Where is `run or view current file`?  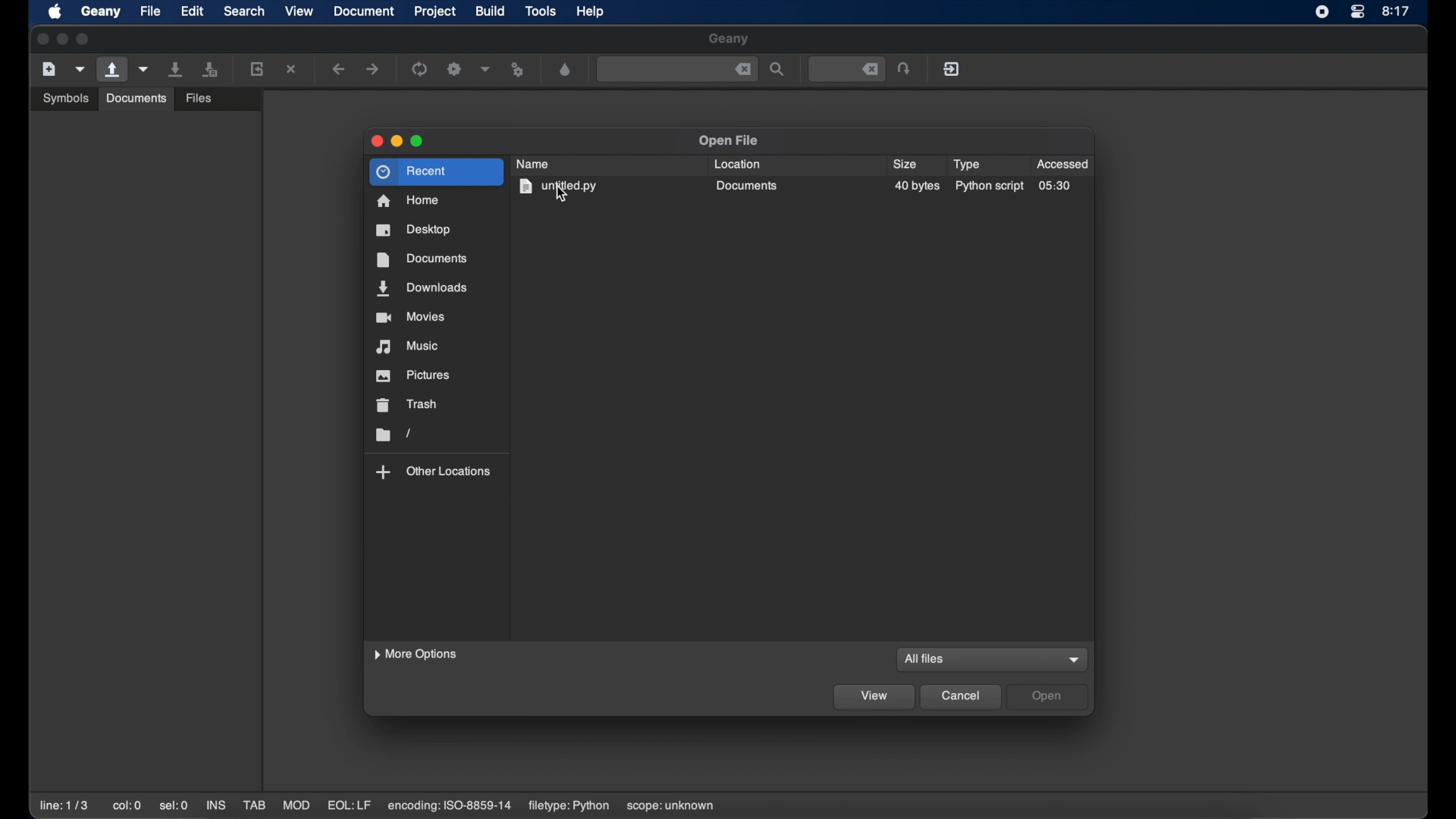
run or view current file is located at coordinates (519, 70).